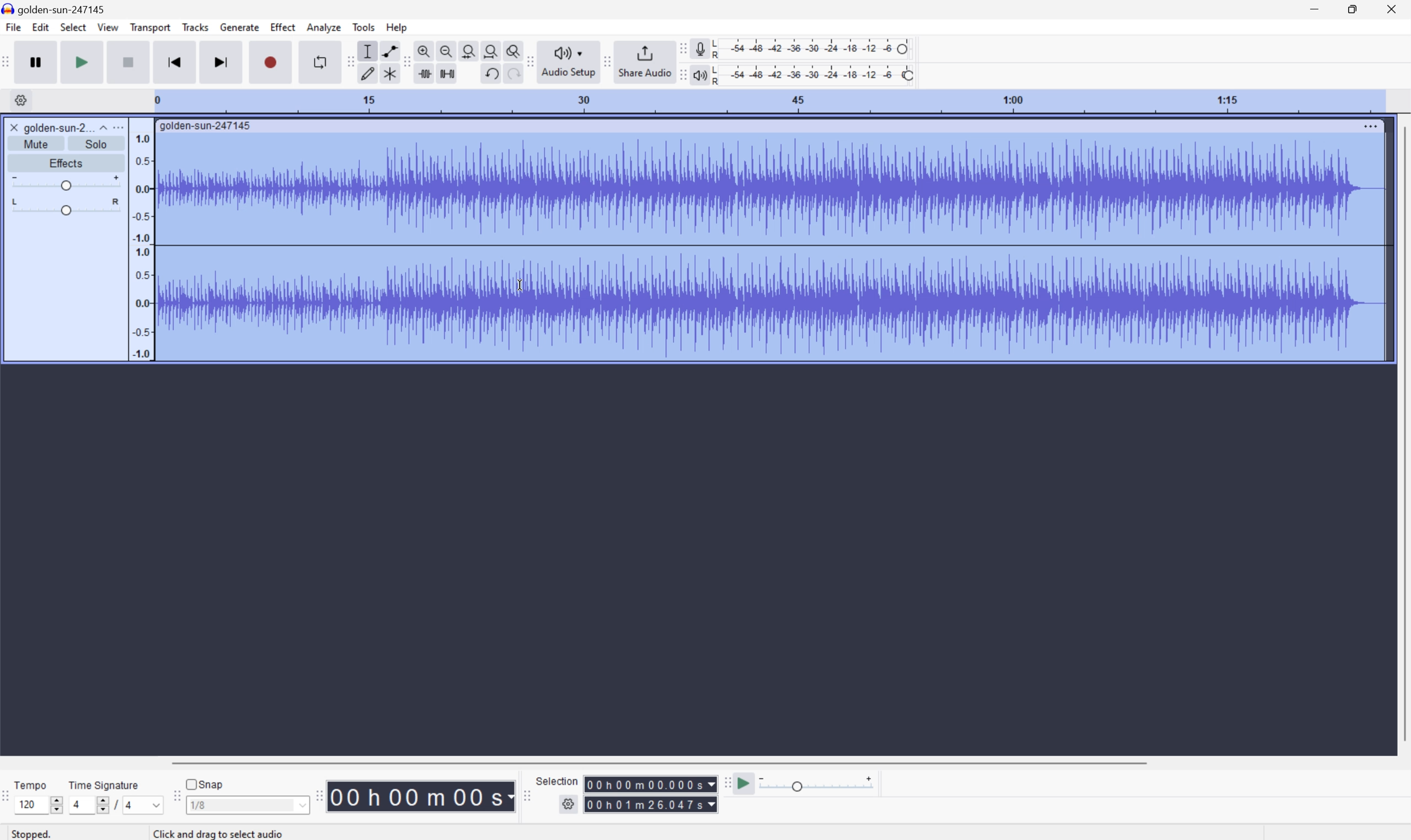  What do you see at coordinates (72, 27) in the screenshot?
I see `Select` at bounding box center [72, 27].